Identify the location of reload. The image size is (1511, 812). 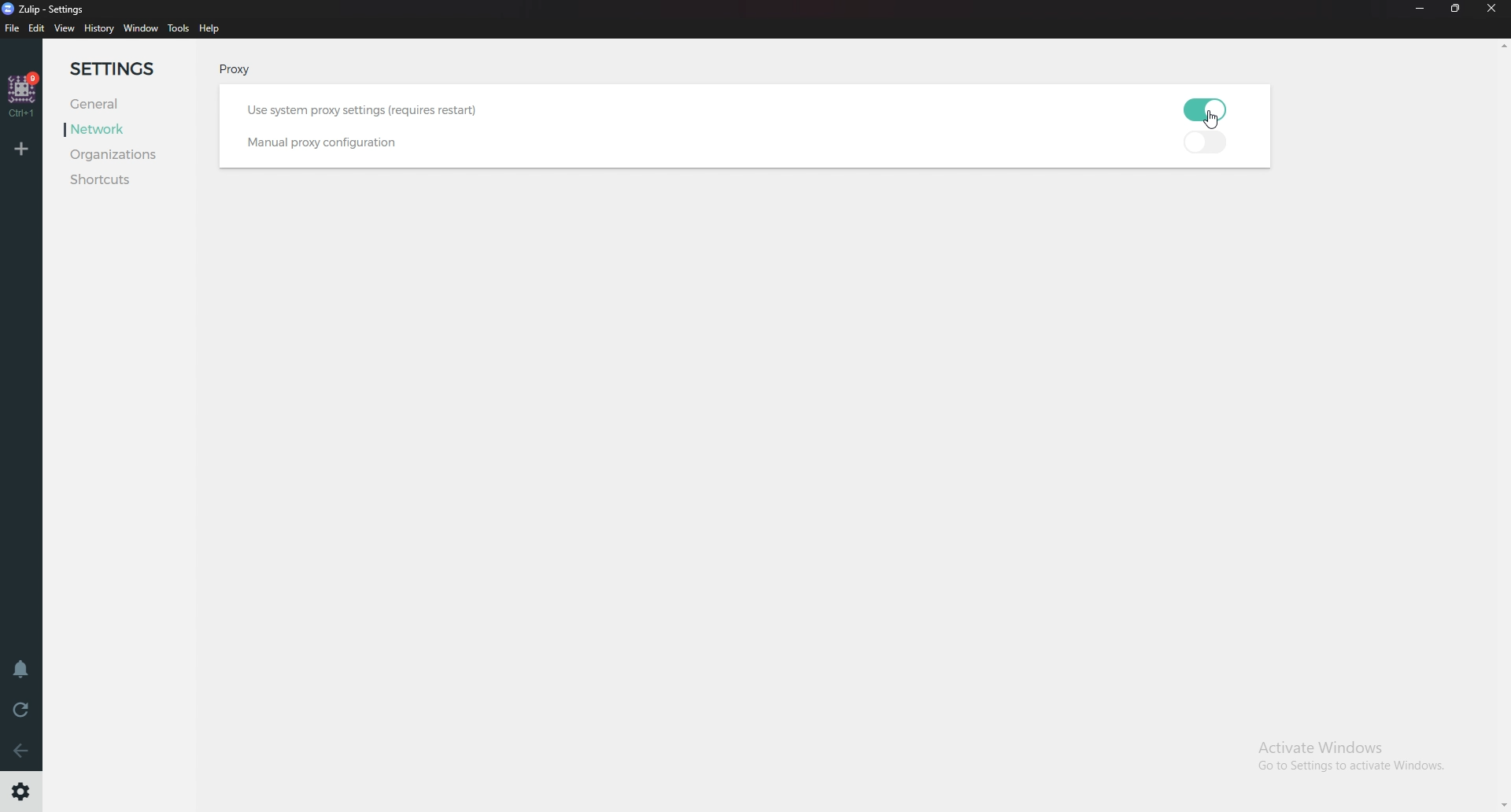
(22, 710).